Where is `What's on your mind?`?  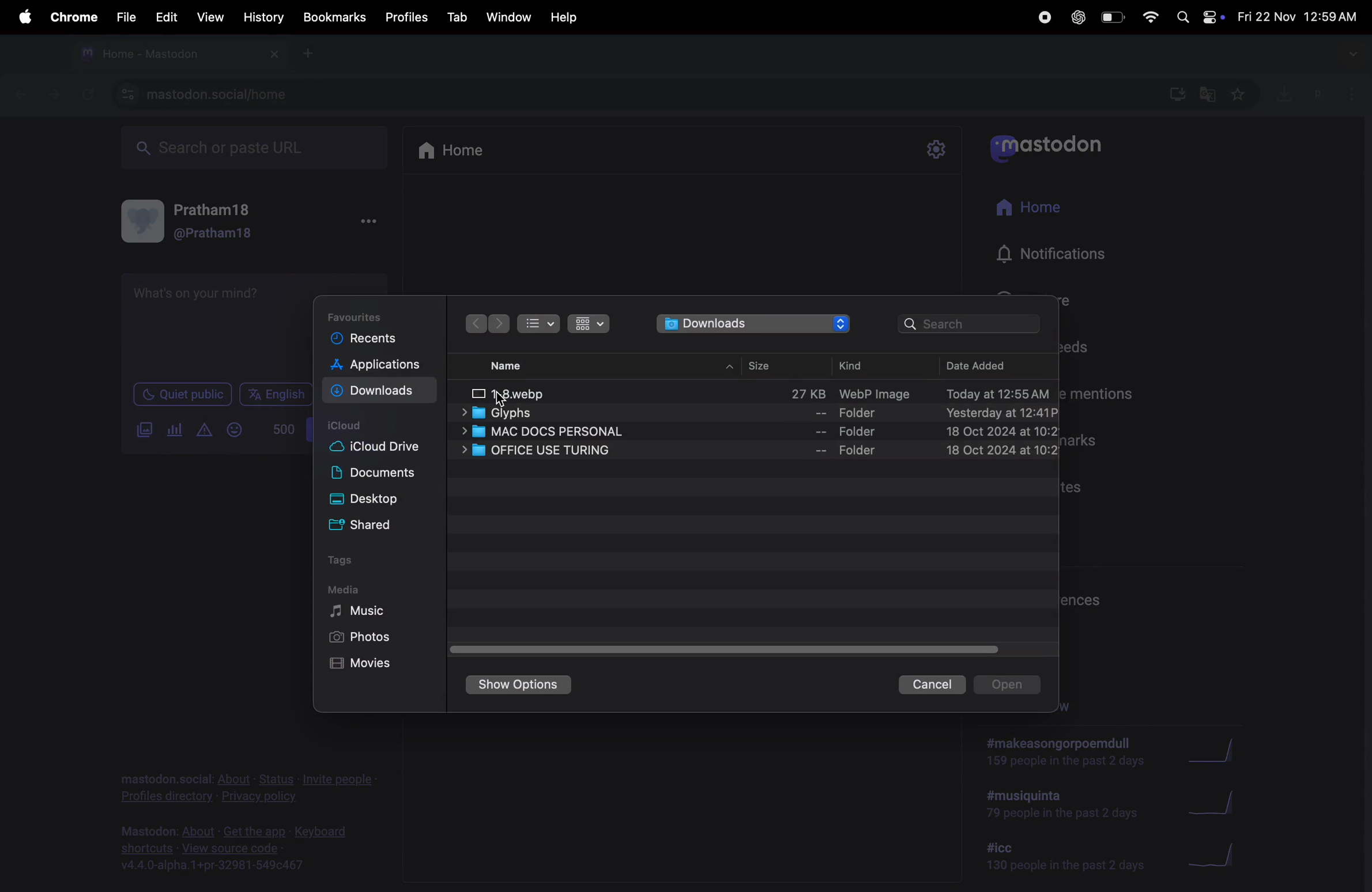 What's on your mind? is located at coordinates (198, 295).